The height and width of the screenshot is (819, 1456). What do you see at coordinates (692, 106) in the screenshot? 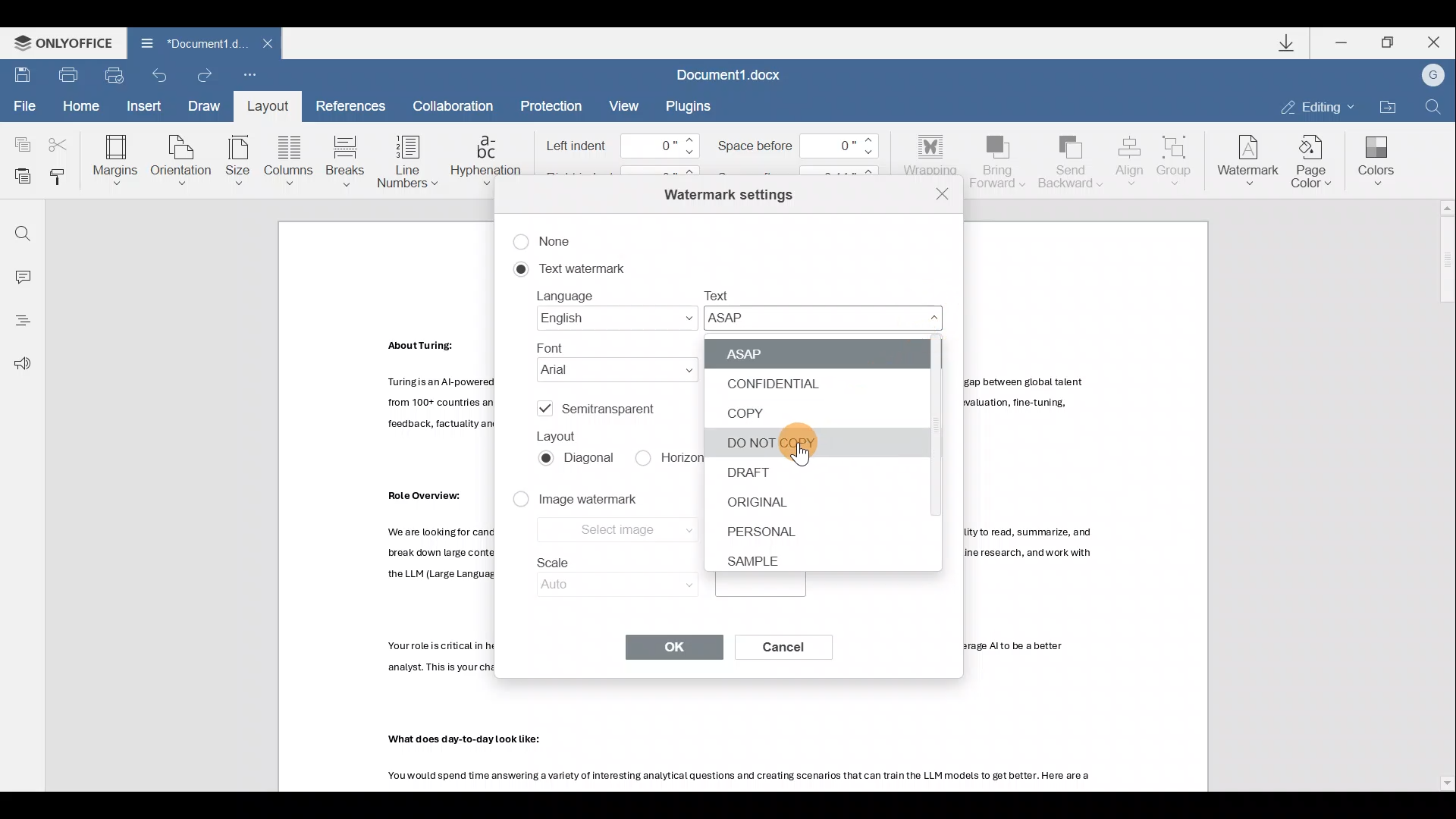
I see `Plugins` at bounding box center [692, 106].